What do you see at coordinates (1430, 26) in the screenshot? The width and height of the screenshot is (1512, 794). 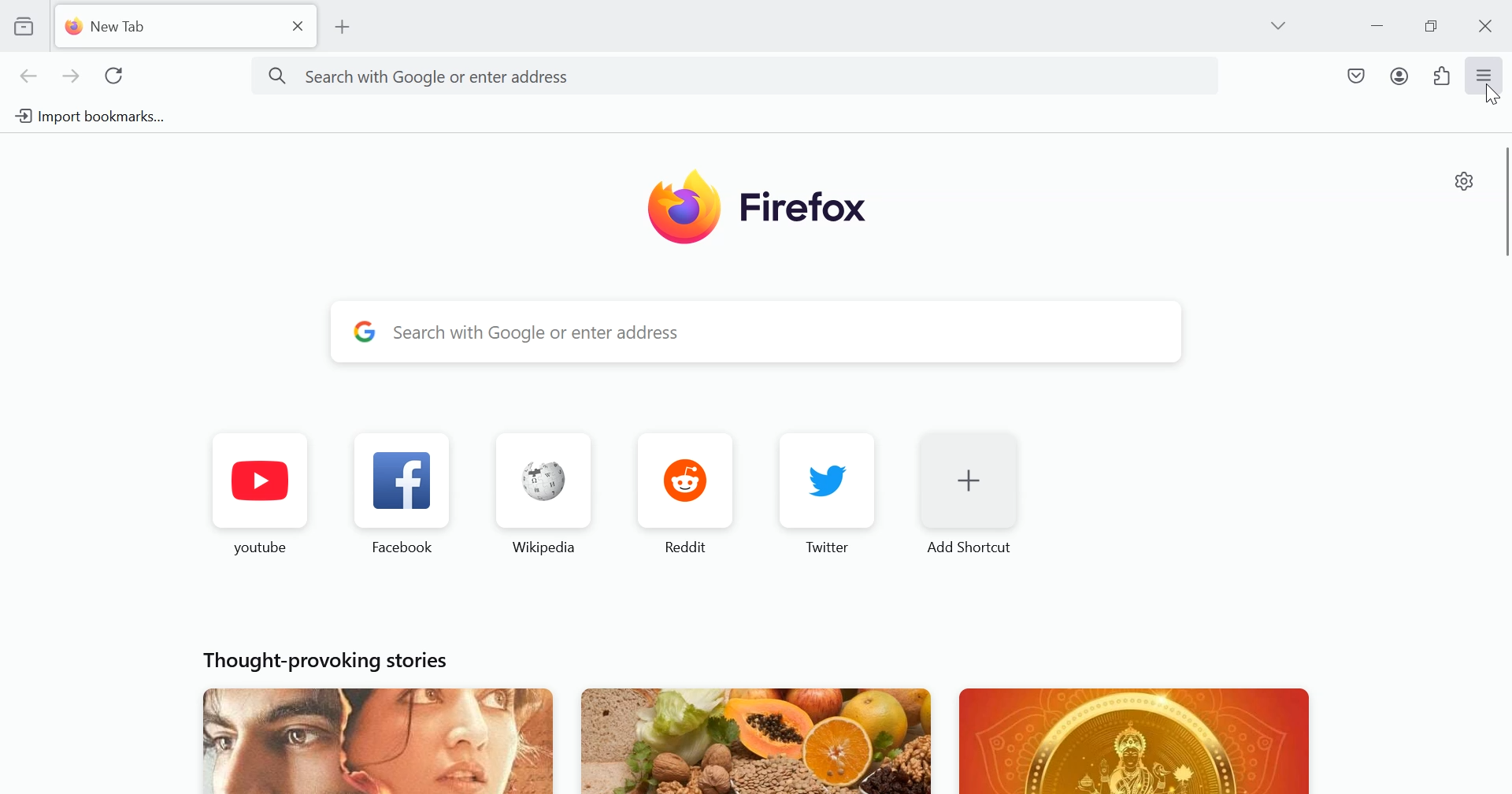 I see `Maximize` at bounding box center [1430, 26].